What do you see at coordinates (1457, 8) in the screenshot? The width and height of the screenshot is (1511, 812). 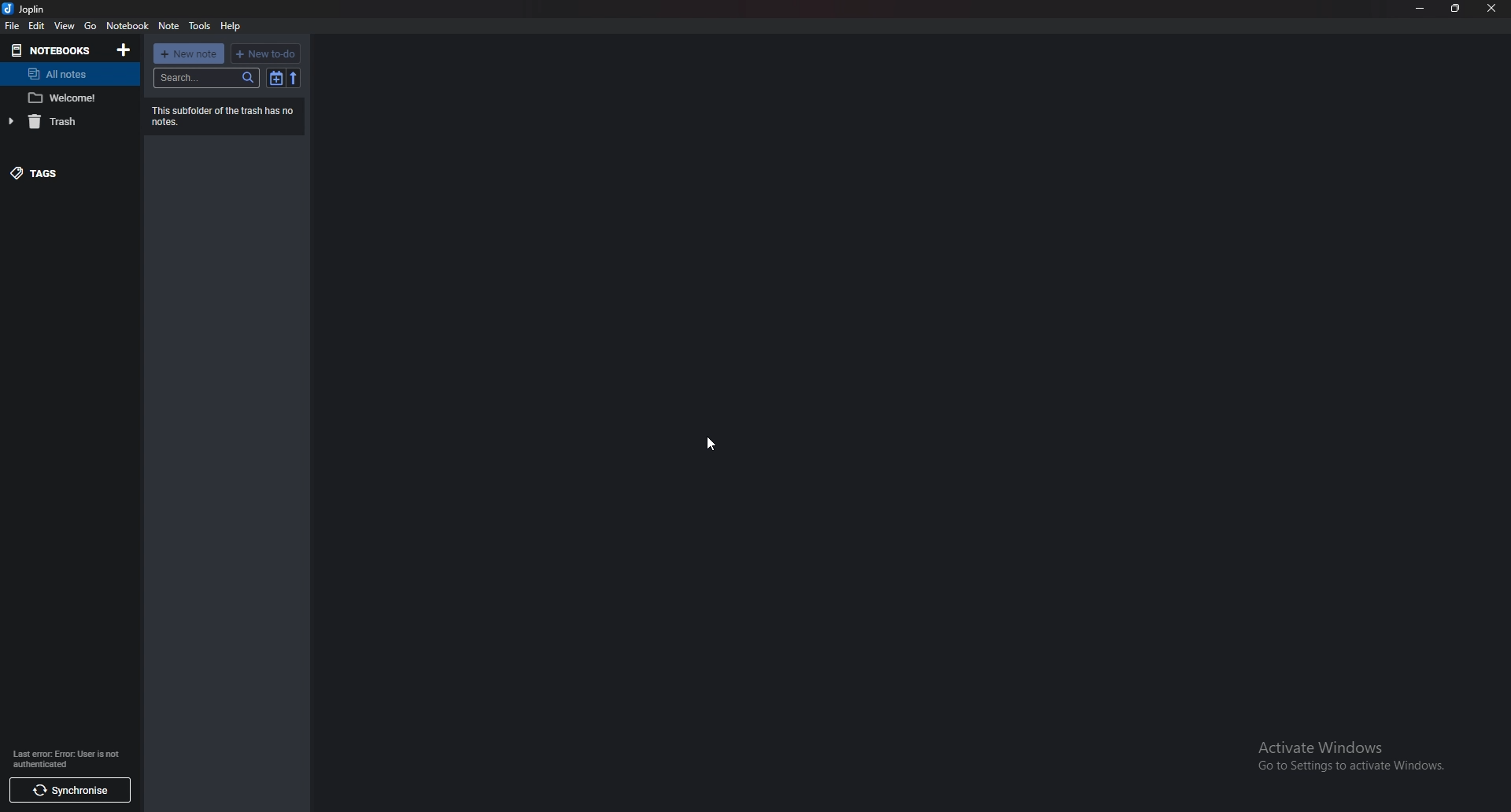 I see `Resize` at bounding box center [1457, 8].